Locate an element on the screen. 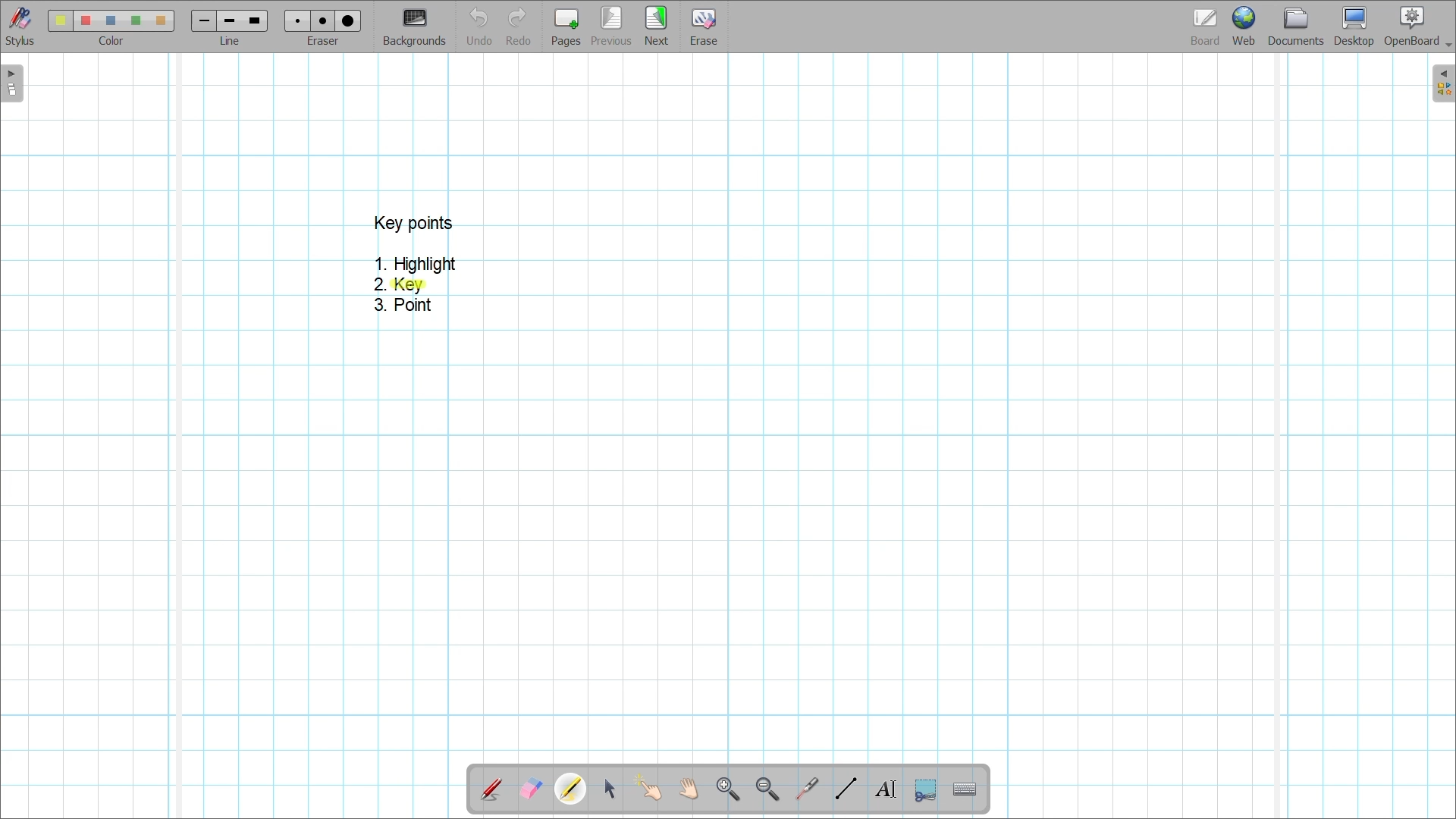  OpenBoard is located at coordinates (1417, 27).